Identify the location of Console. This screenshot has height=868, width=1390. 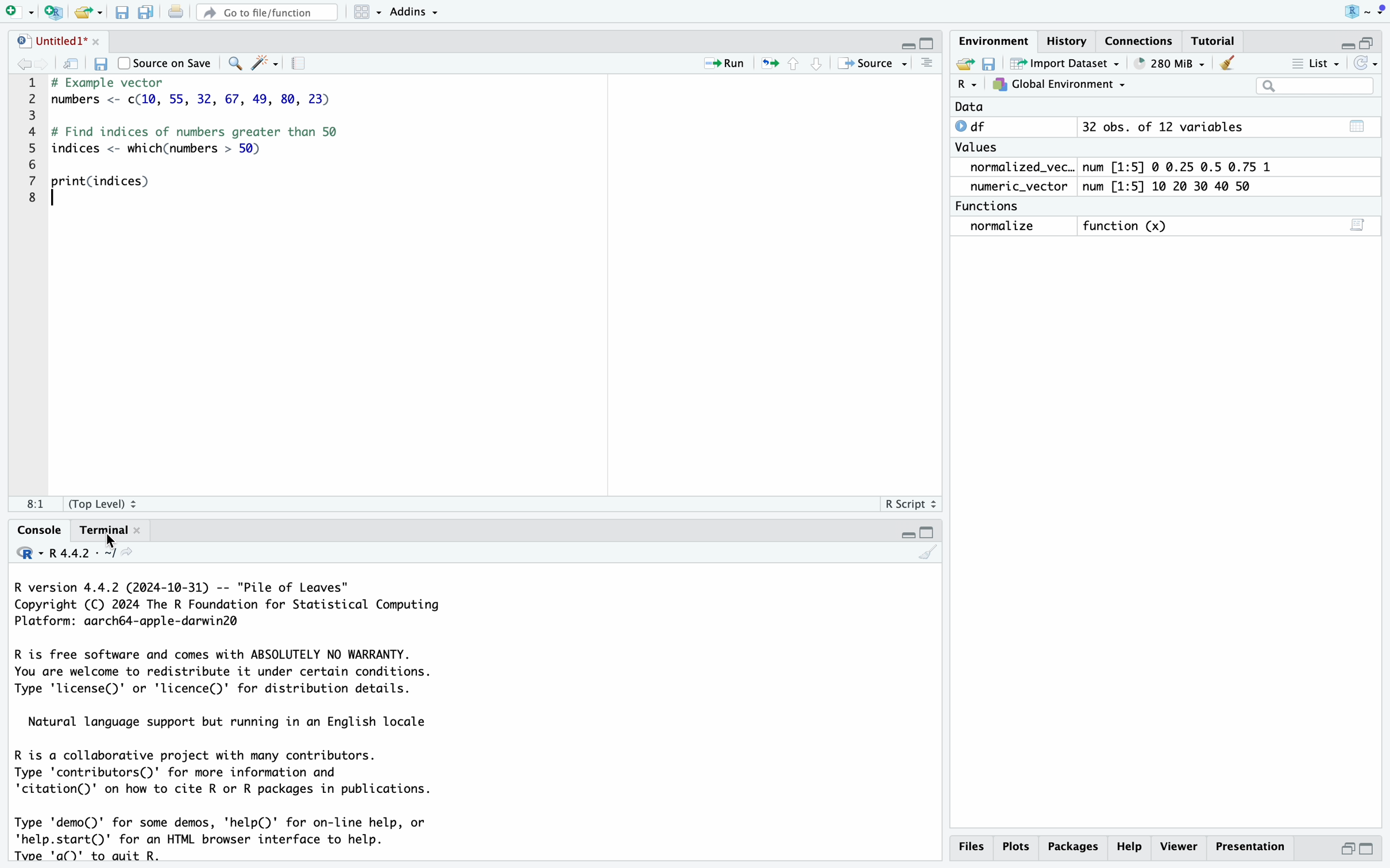
(32, 529).